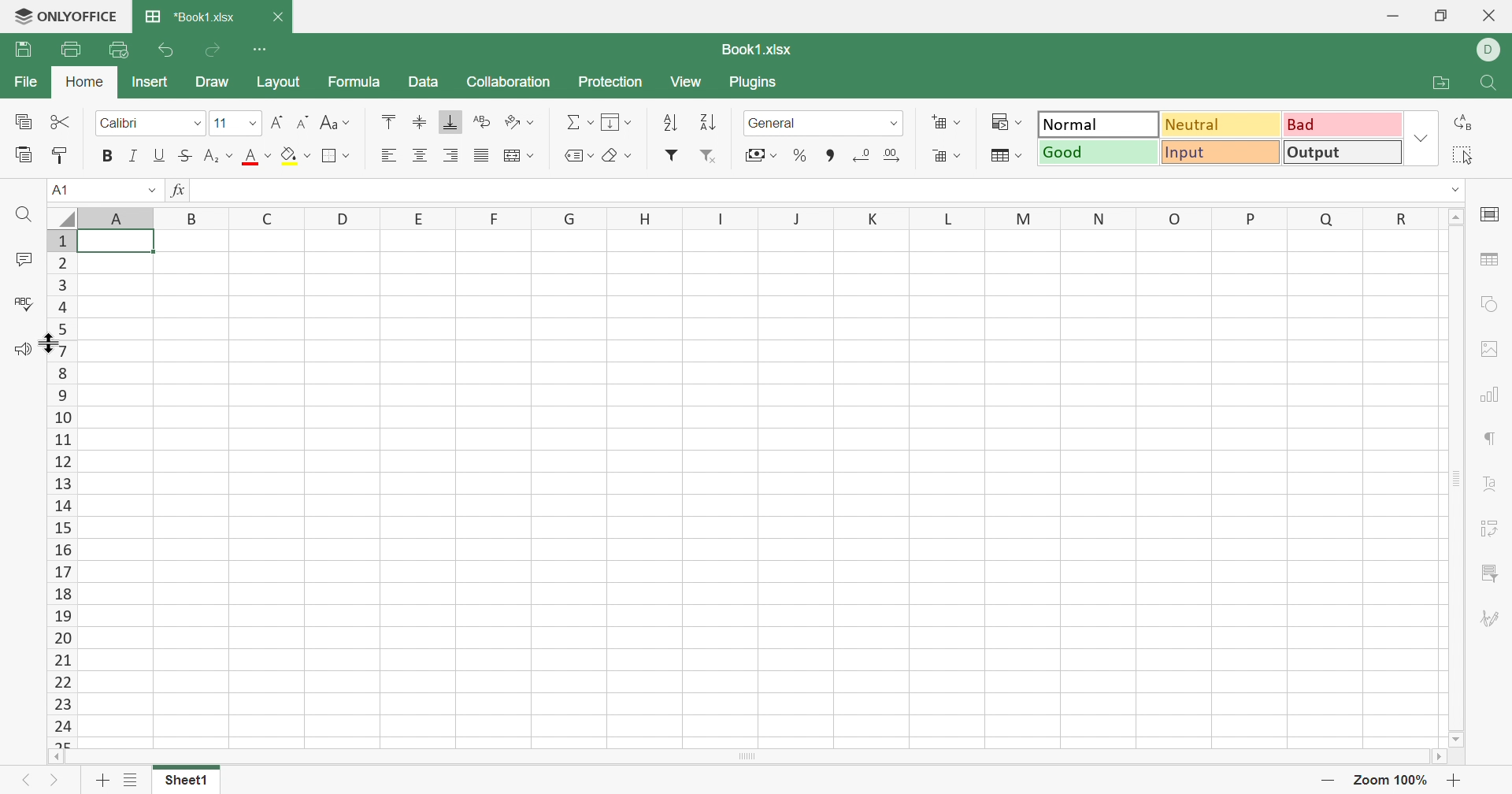 The height and width of the screenshot is (794, 1512). I want to click on Layout, so click(278, 80).